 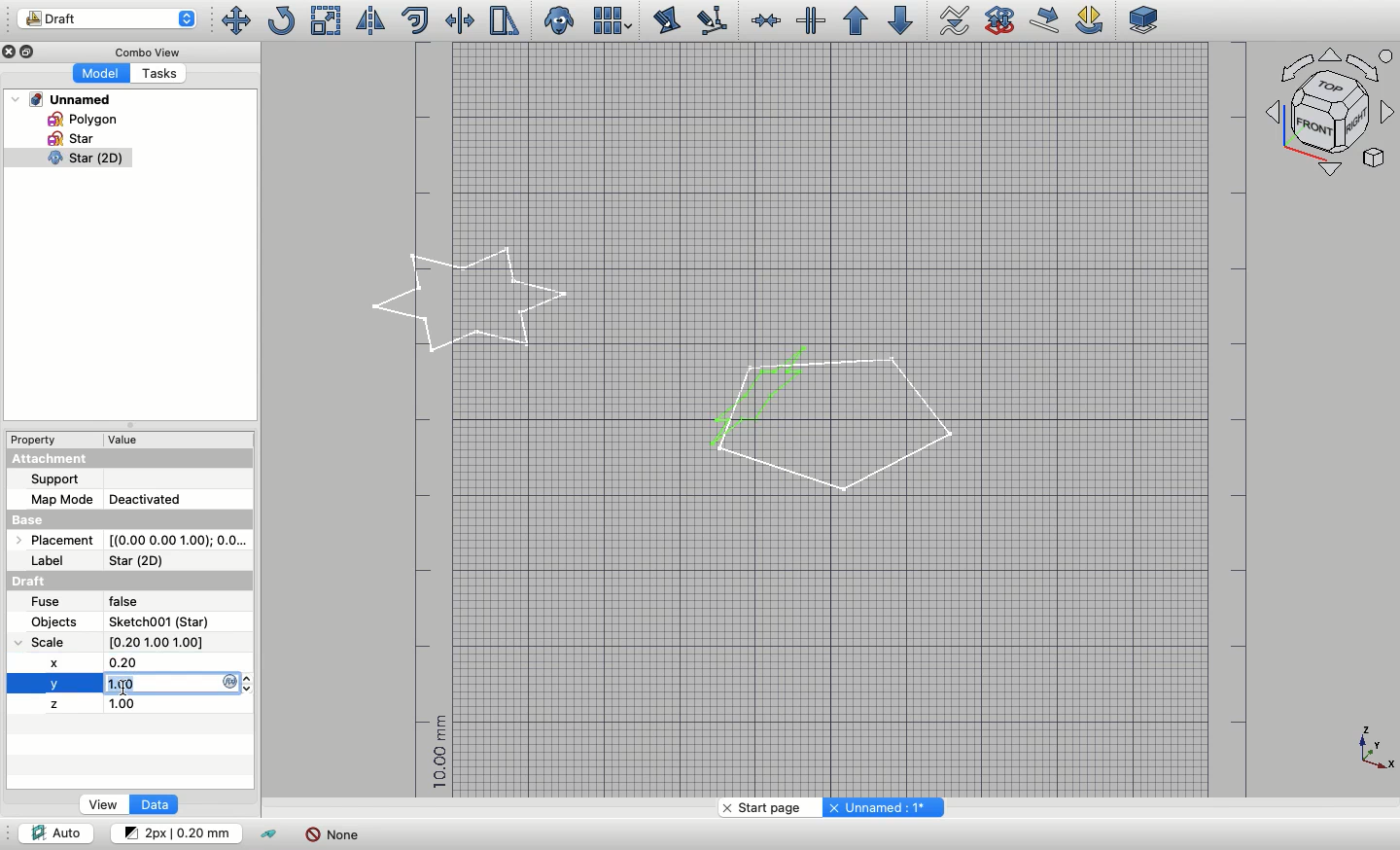 I want to click on Join, so click(x=765, y=20).